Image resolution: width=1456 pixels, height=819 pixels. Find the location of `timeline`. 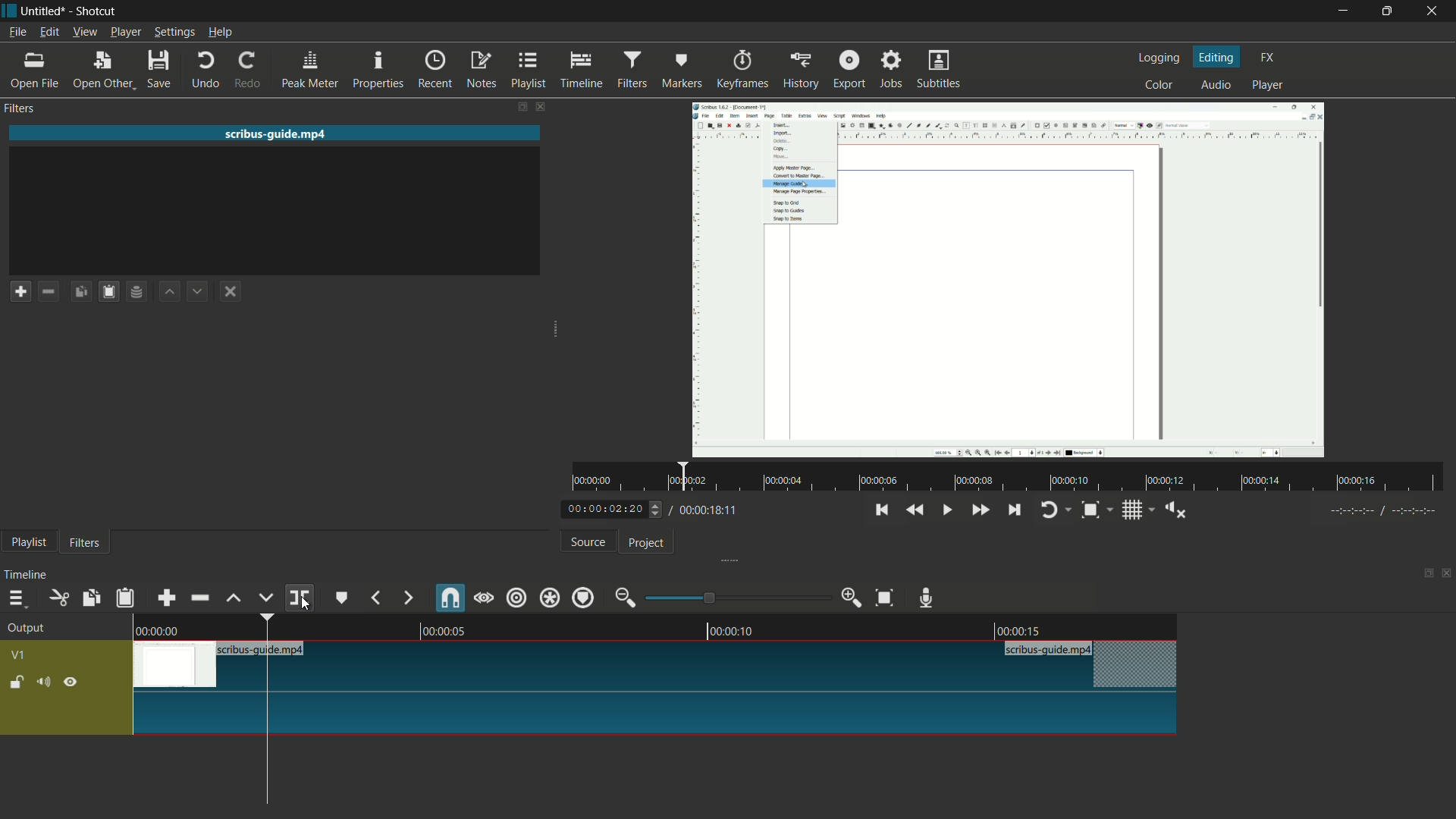

timeline is located at coordinates (26, 575).